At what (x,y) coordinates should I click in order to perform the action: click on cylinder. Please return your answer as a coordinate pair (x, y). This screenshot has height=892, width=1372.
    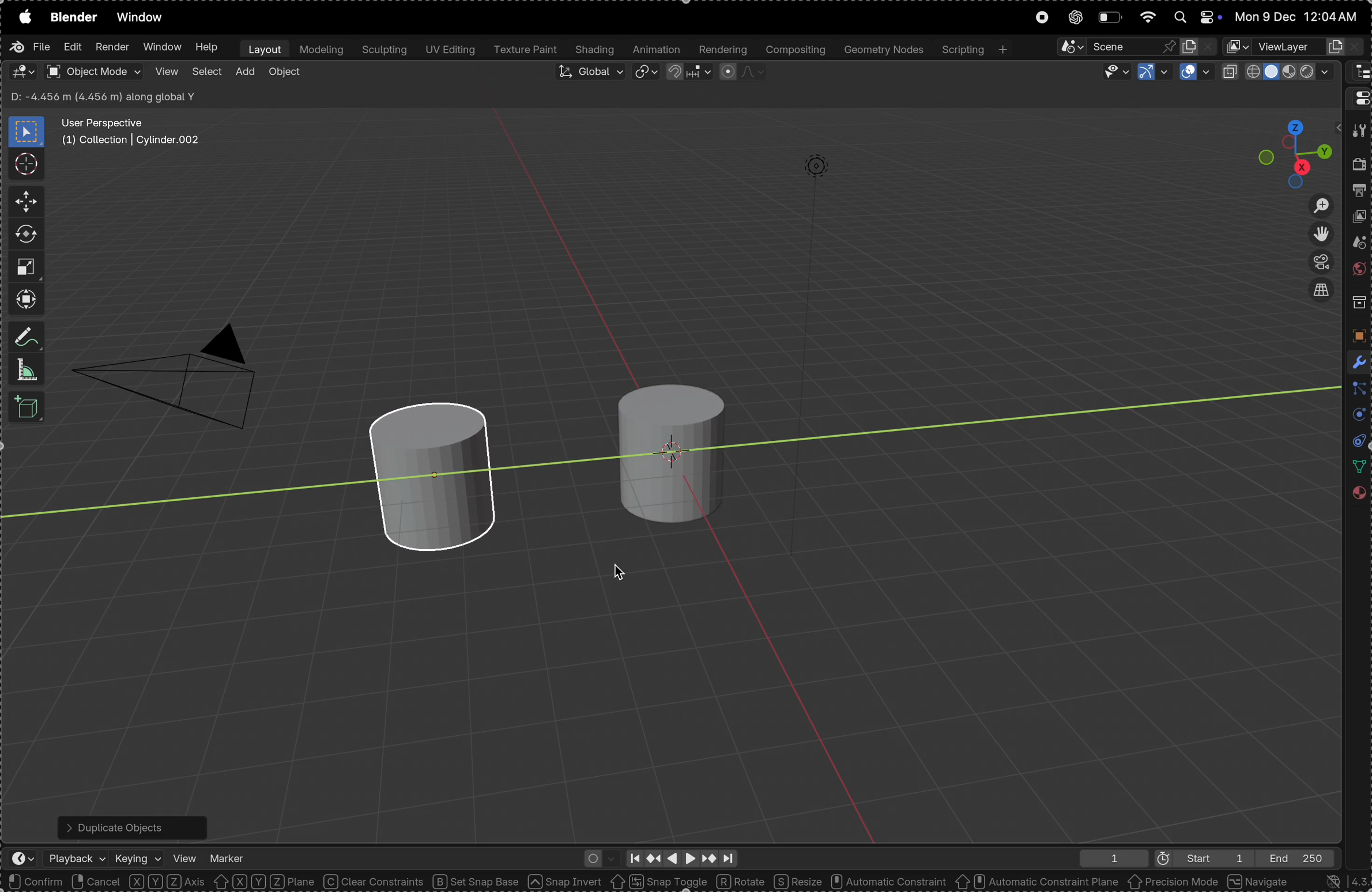
    Looking at the image, I should click on (664, 447).